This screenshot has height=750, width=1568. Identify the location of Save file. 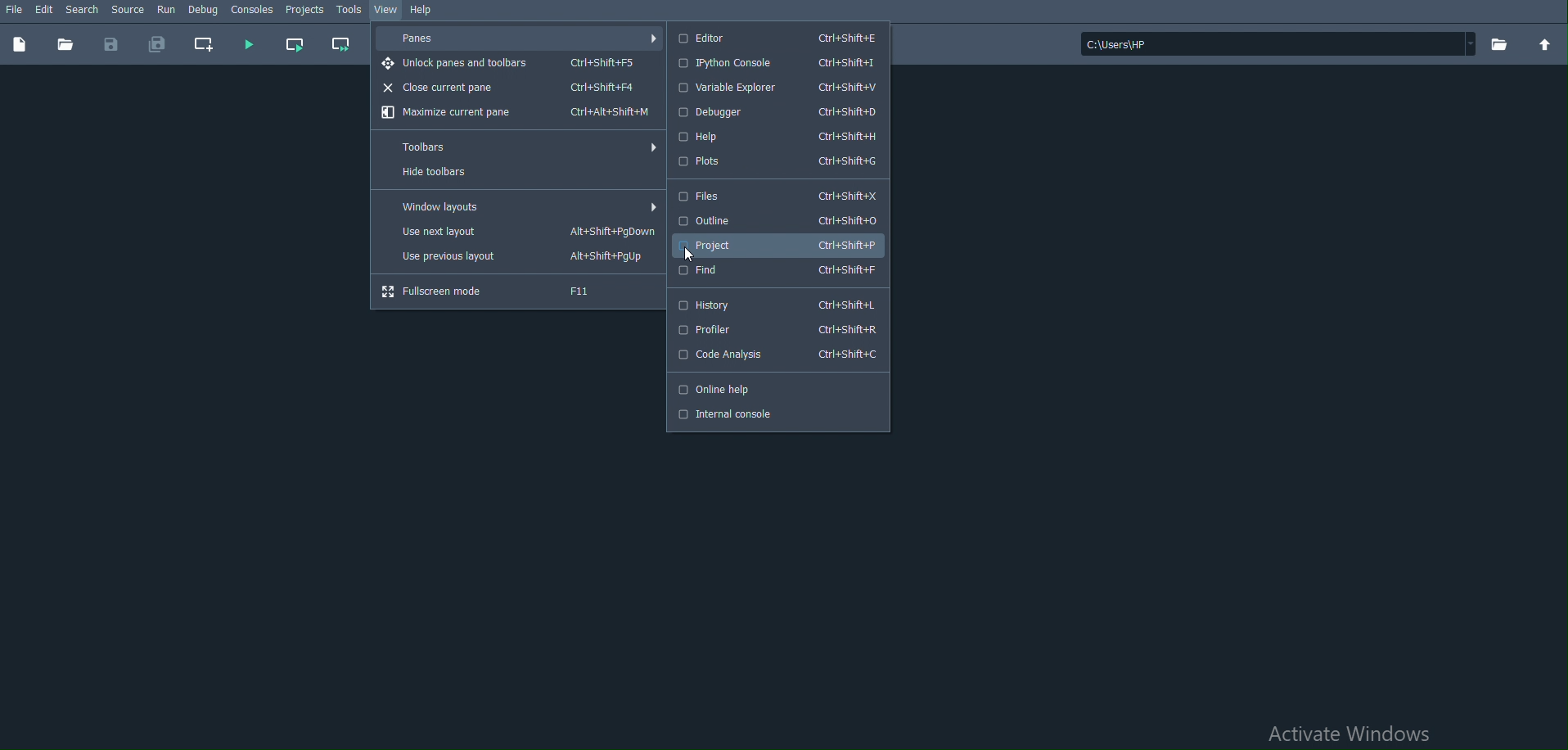
(115, 43).